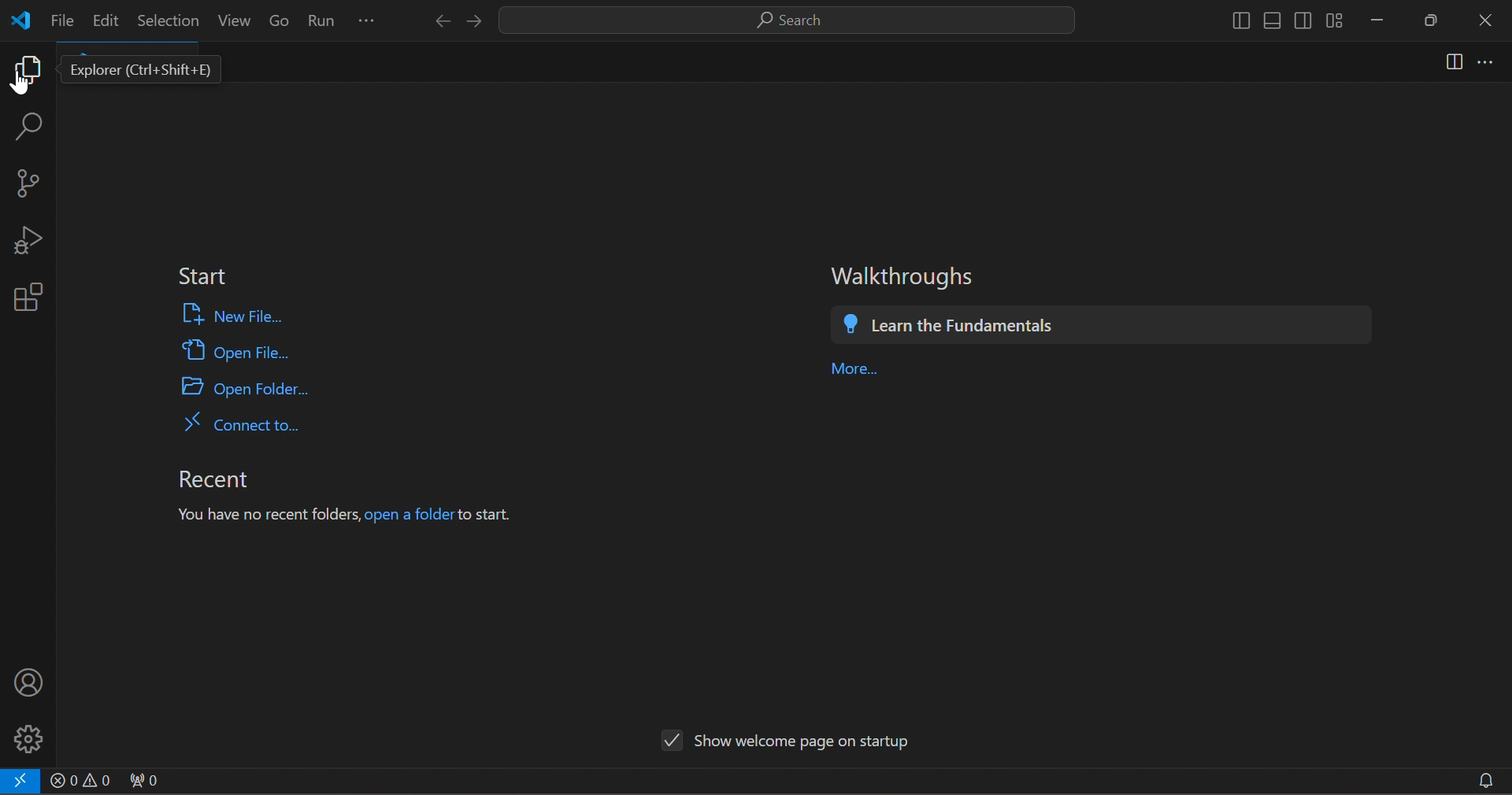 The width and height of the screenshot is (1512, 795). Describe the element at coordinates (31, 68) in the screenshot. I see `copy` at that location.